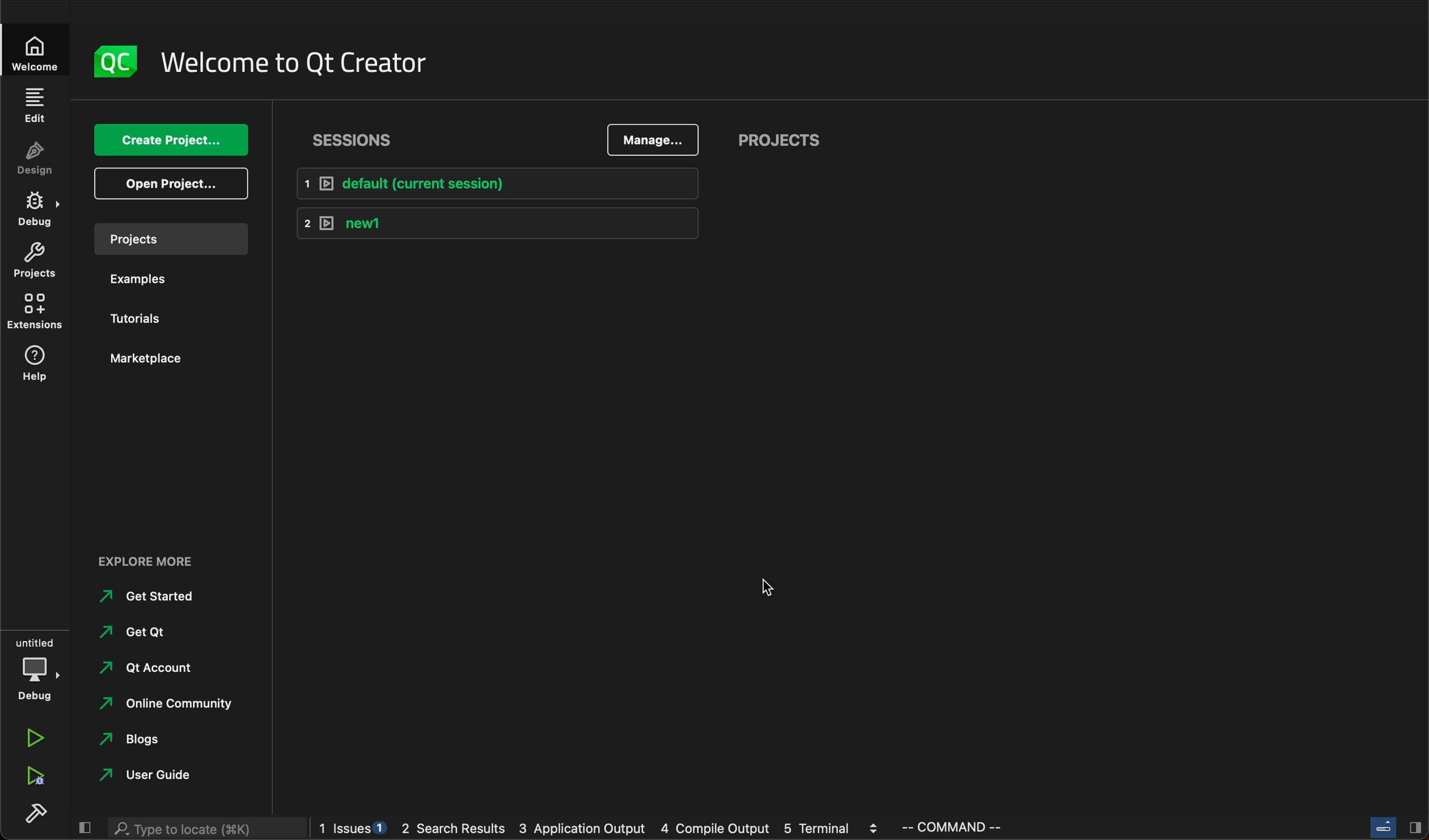 The width and height of the screenshot is (1429, 840). Describe the element at coordinates (498, 185) in the screenshot. I see `default` at that location.